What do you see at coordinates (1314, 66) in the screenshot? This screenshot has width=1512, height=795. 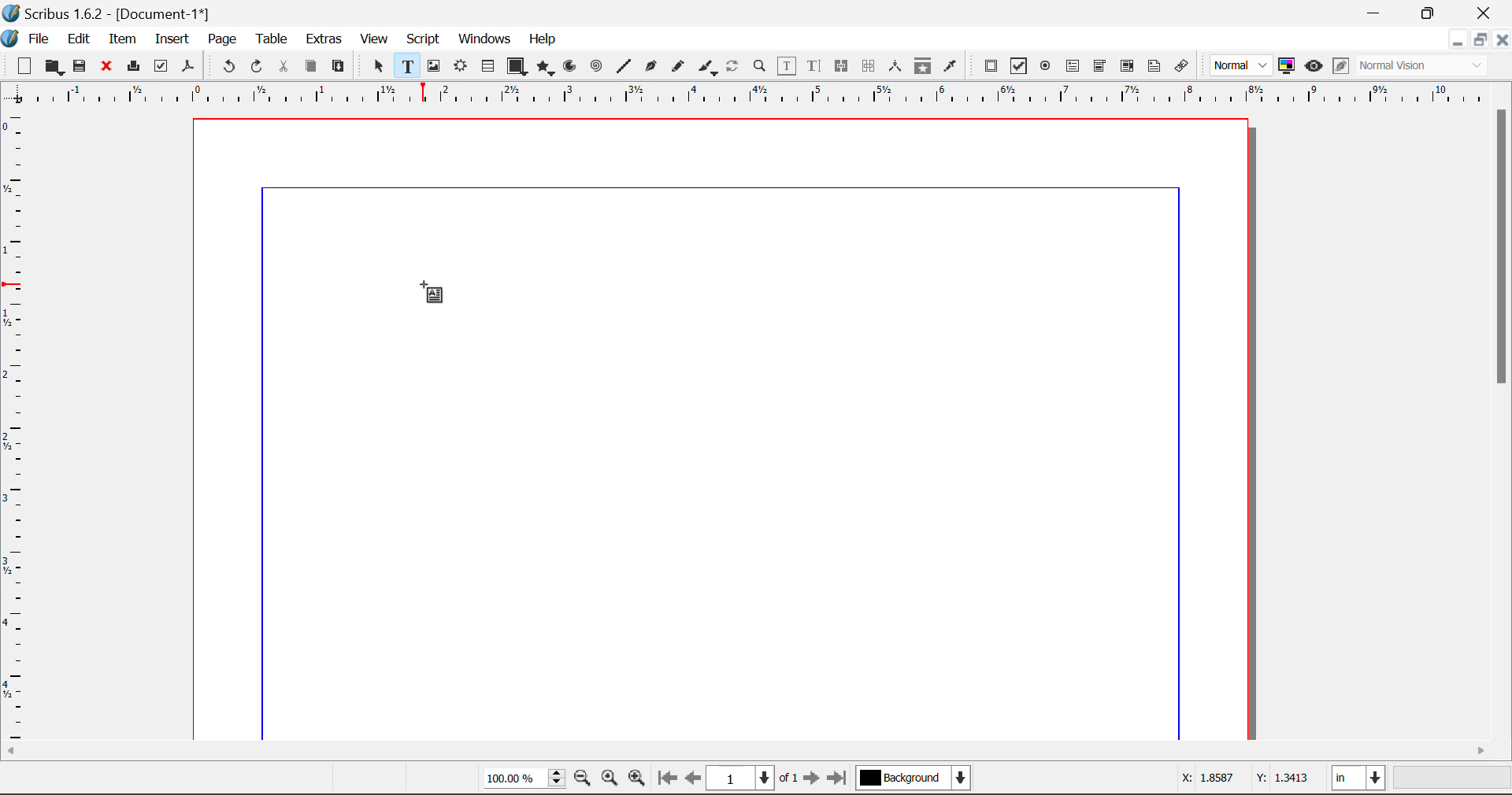 I see `Preview Mode` at bounding box center [1314, 66].